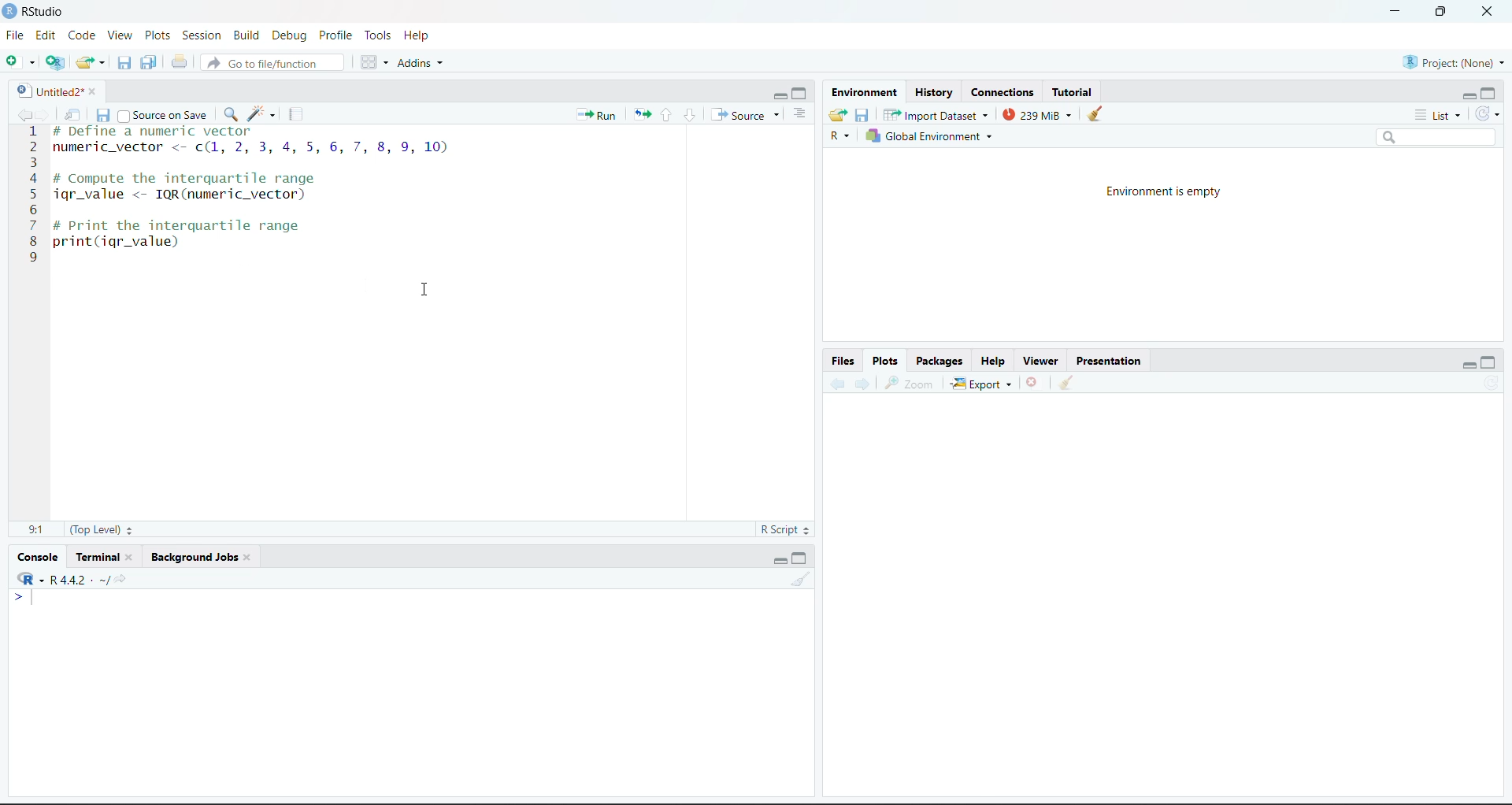  I want to click on New File, so click(20, 61).